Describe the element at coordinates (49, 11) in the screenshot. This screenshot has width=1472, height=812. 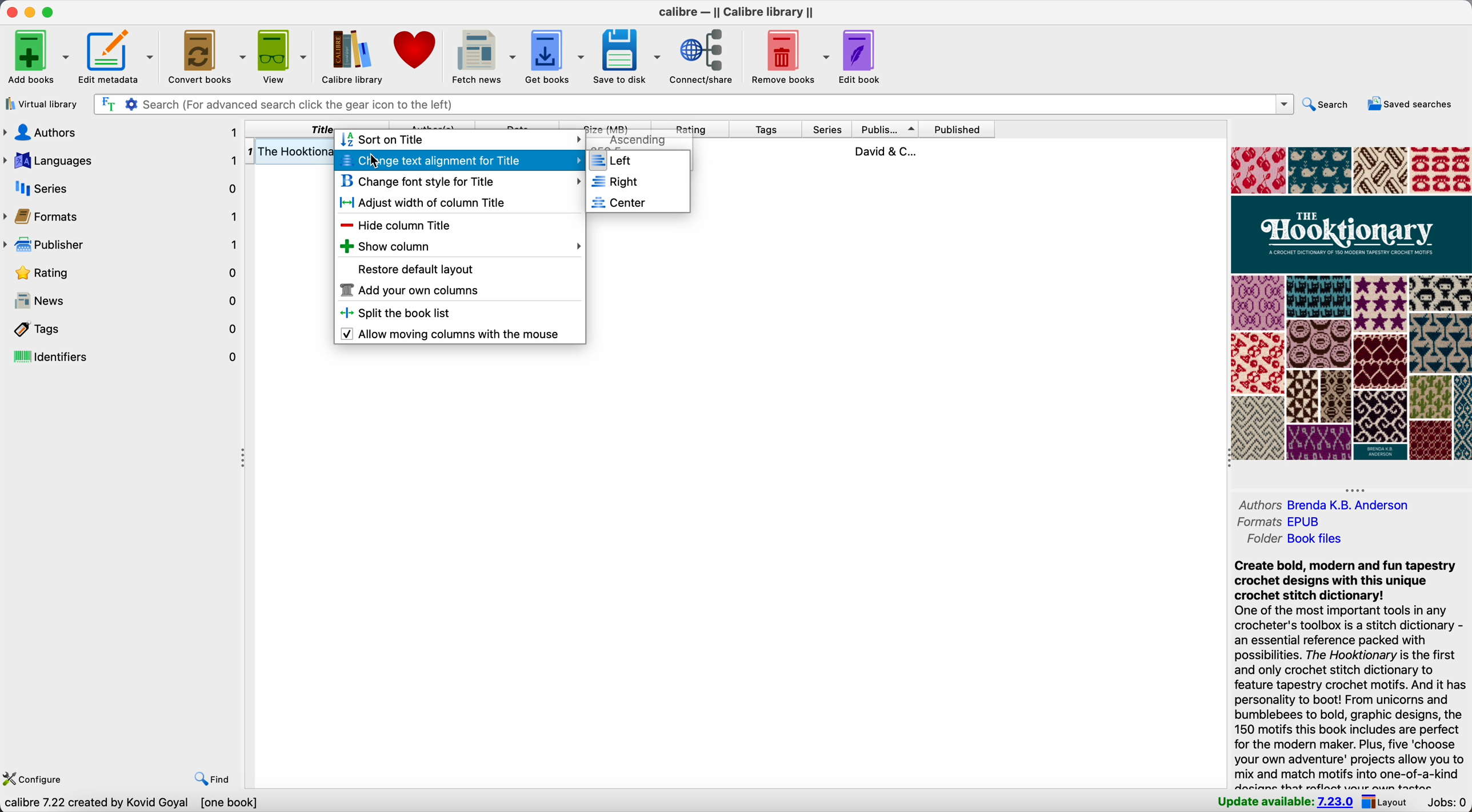
I see `maximize` at that location.